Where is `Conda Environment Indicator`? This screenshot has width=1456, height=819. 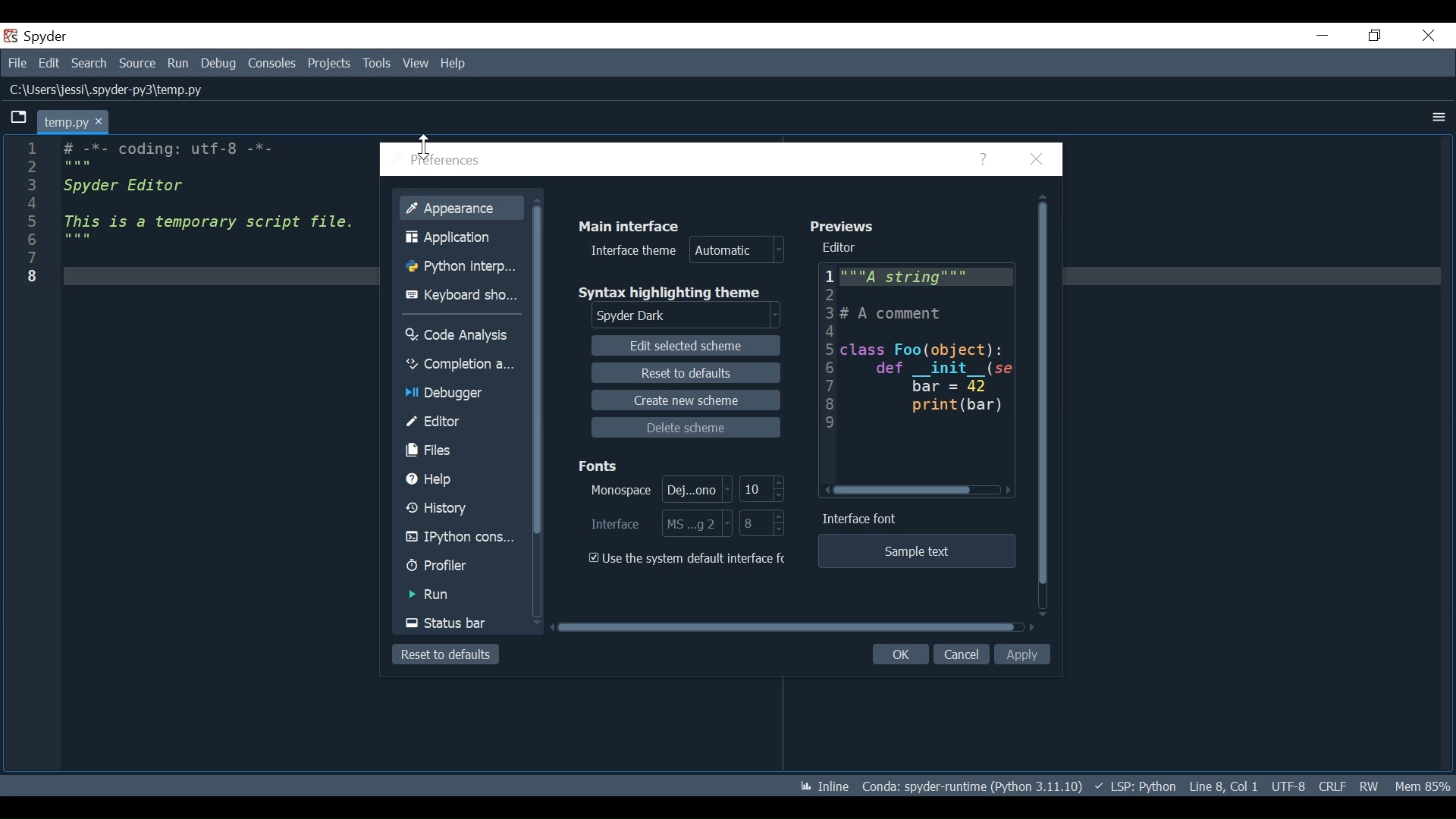 Conda Environment Indicator is located at coordinates (971, 787).